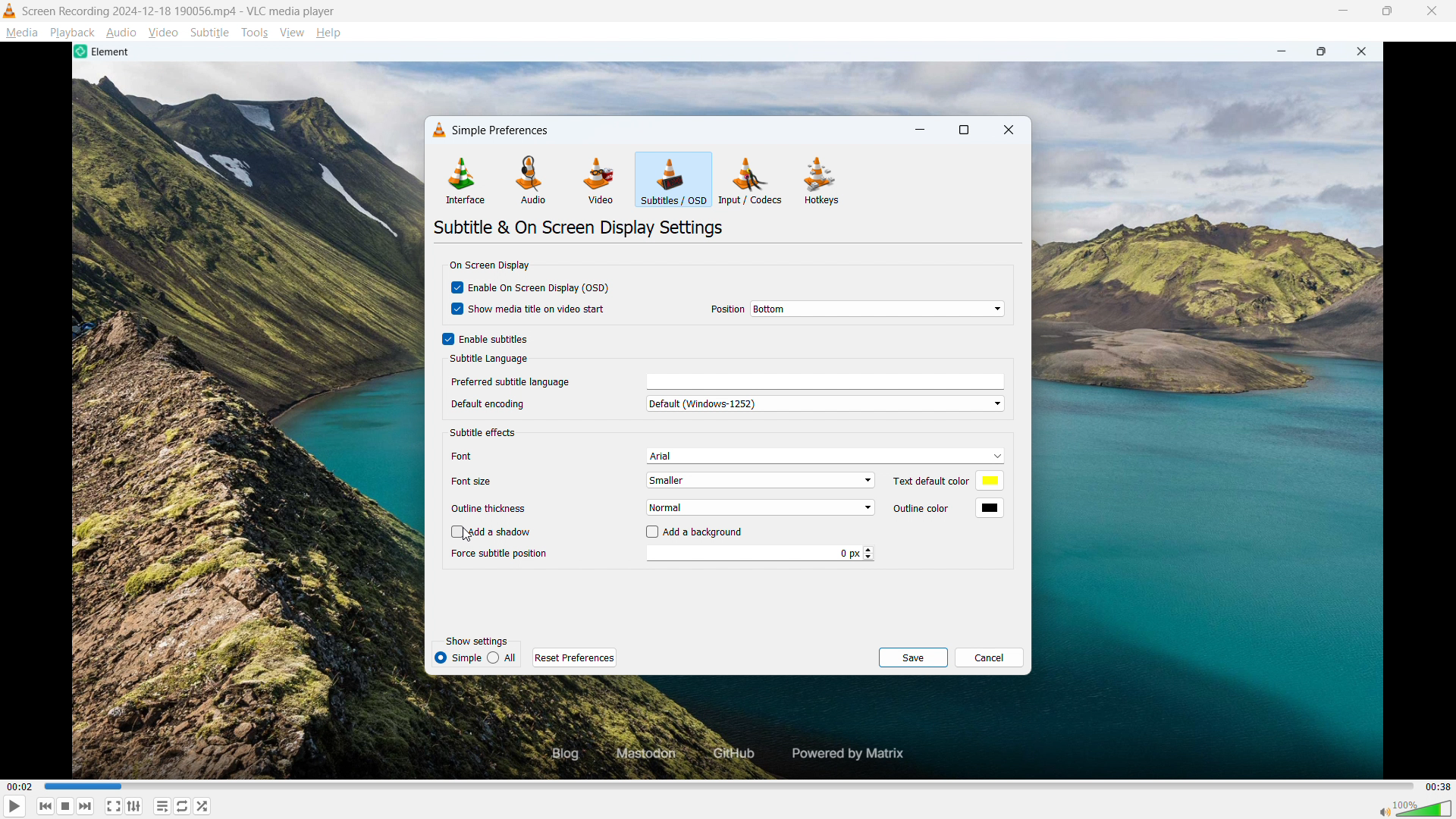 Image resolution: width=1456 pixels, height=819 pixels. I want to click on Show advanced settings , so click(133, 807).